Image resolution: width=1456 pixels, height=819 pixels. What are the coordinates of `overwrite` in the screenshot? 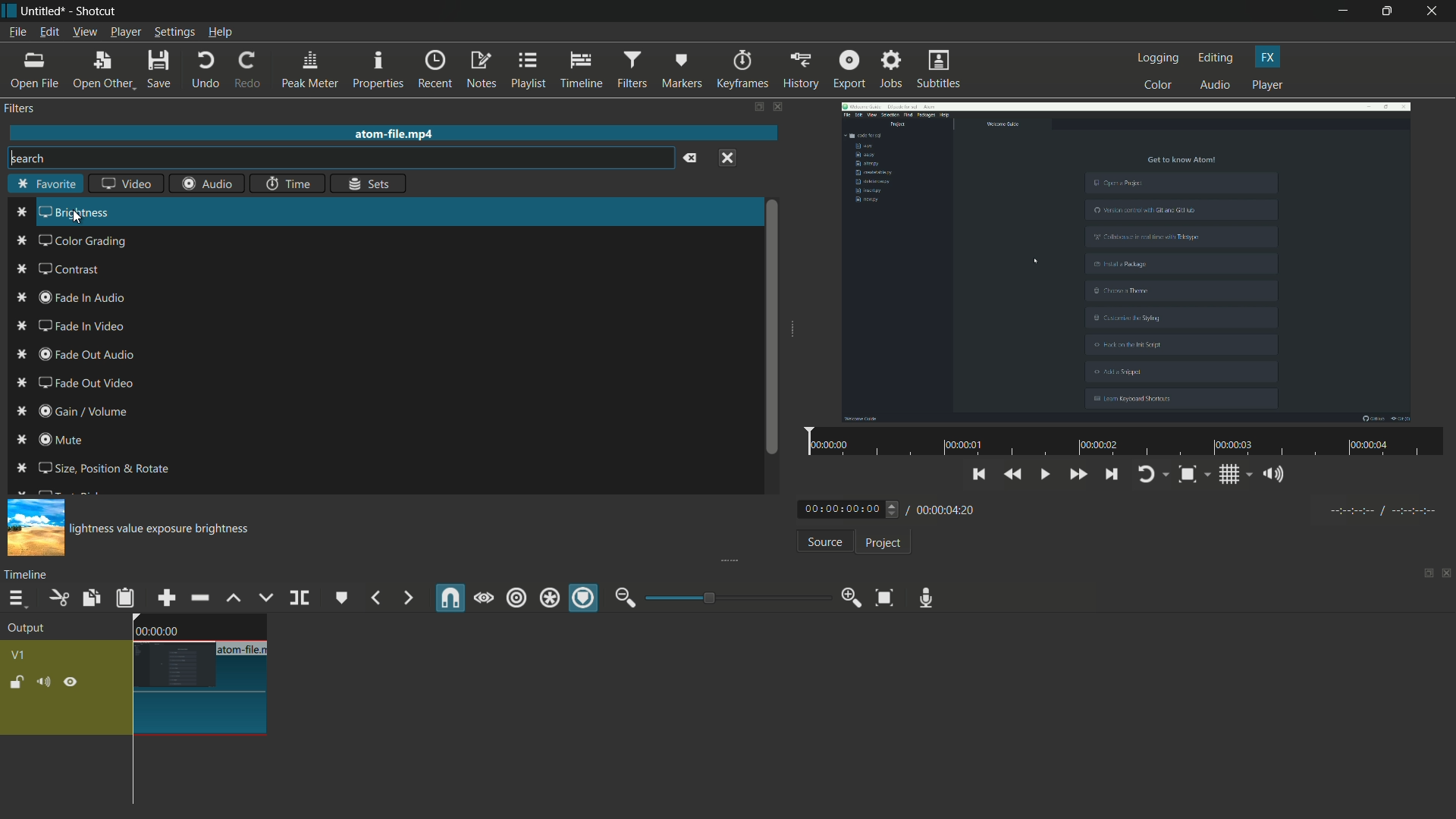 It's located at (263, 598).